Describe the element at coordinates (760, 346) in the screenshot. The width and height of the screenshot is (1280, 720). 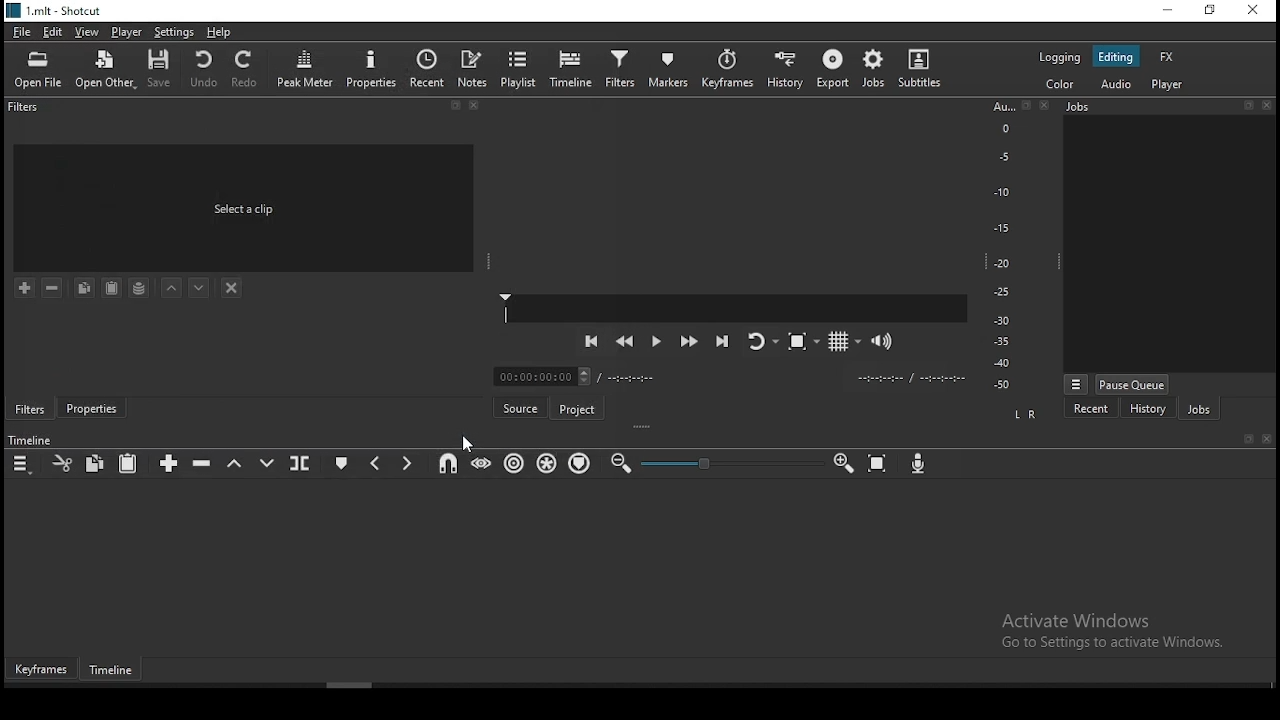
I see `toggle player after looping` at that location.